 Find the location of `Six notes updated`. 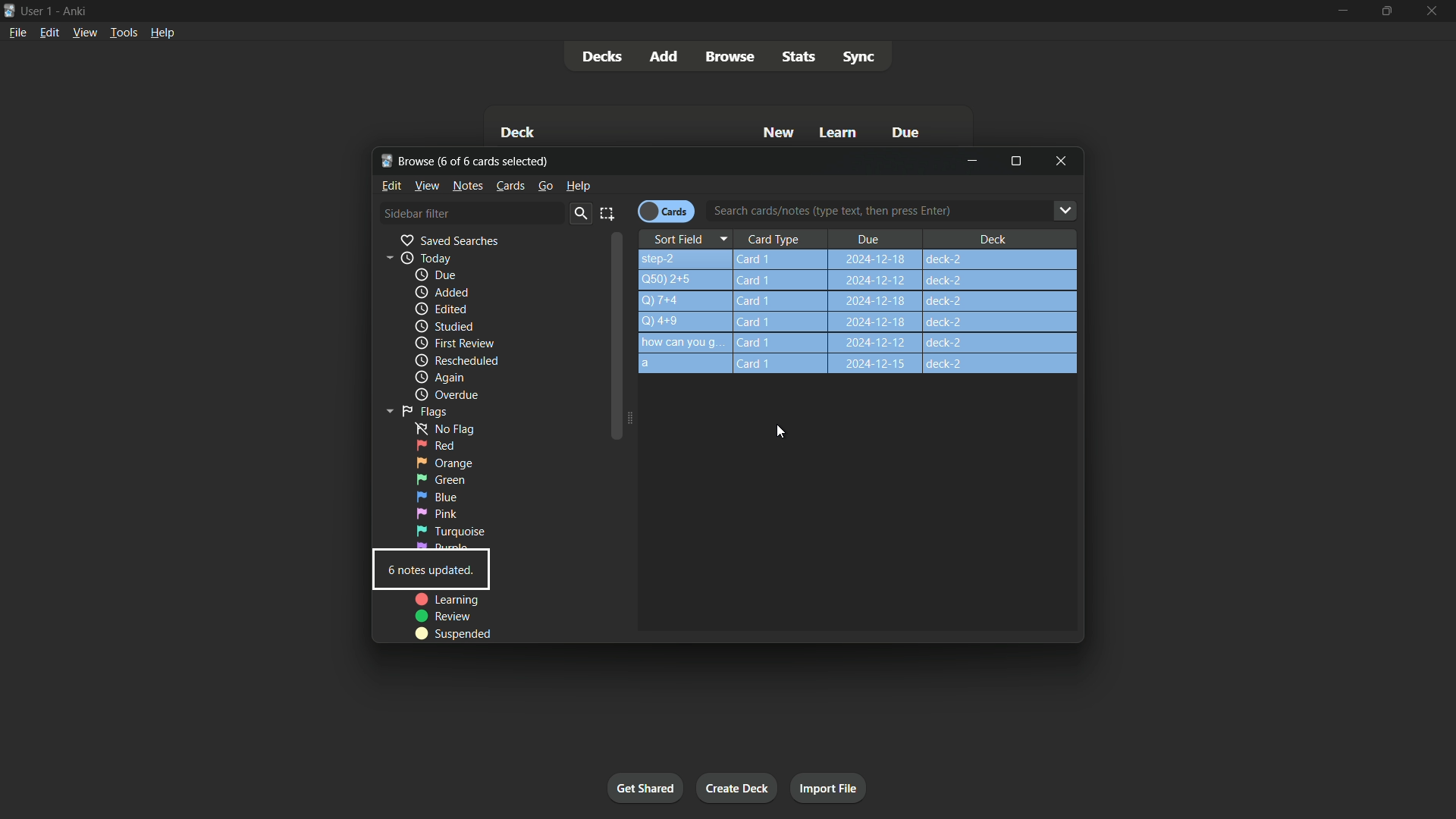

Six notes updated is located at coordinates (431, 573).